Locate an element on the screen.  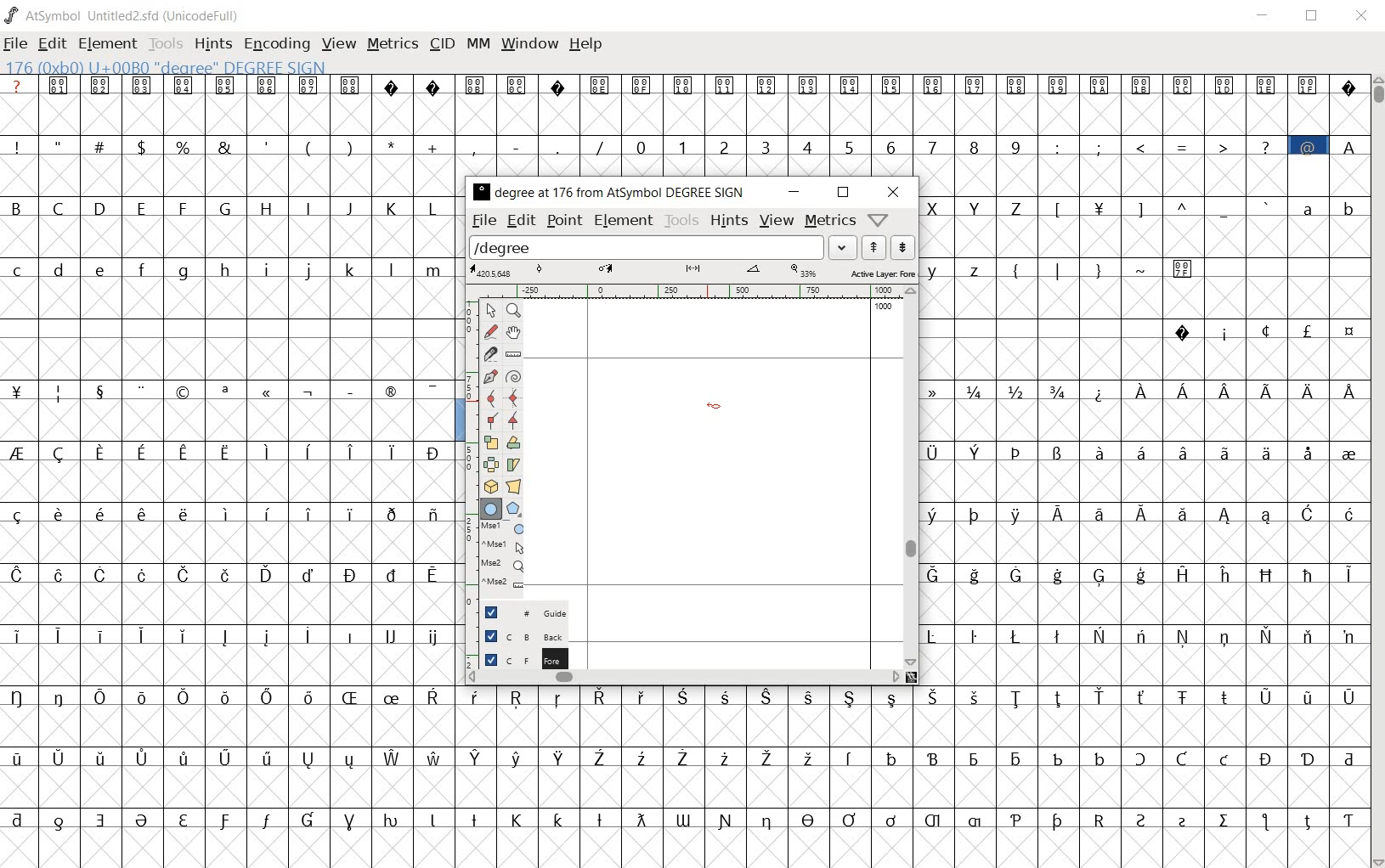
close is located at coordinates (893, 193).